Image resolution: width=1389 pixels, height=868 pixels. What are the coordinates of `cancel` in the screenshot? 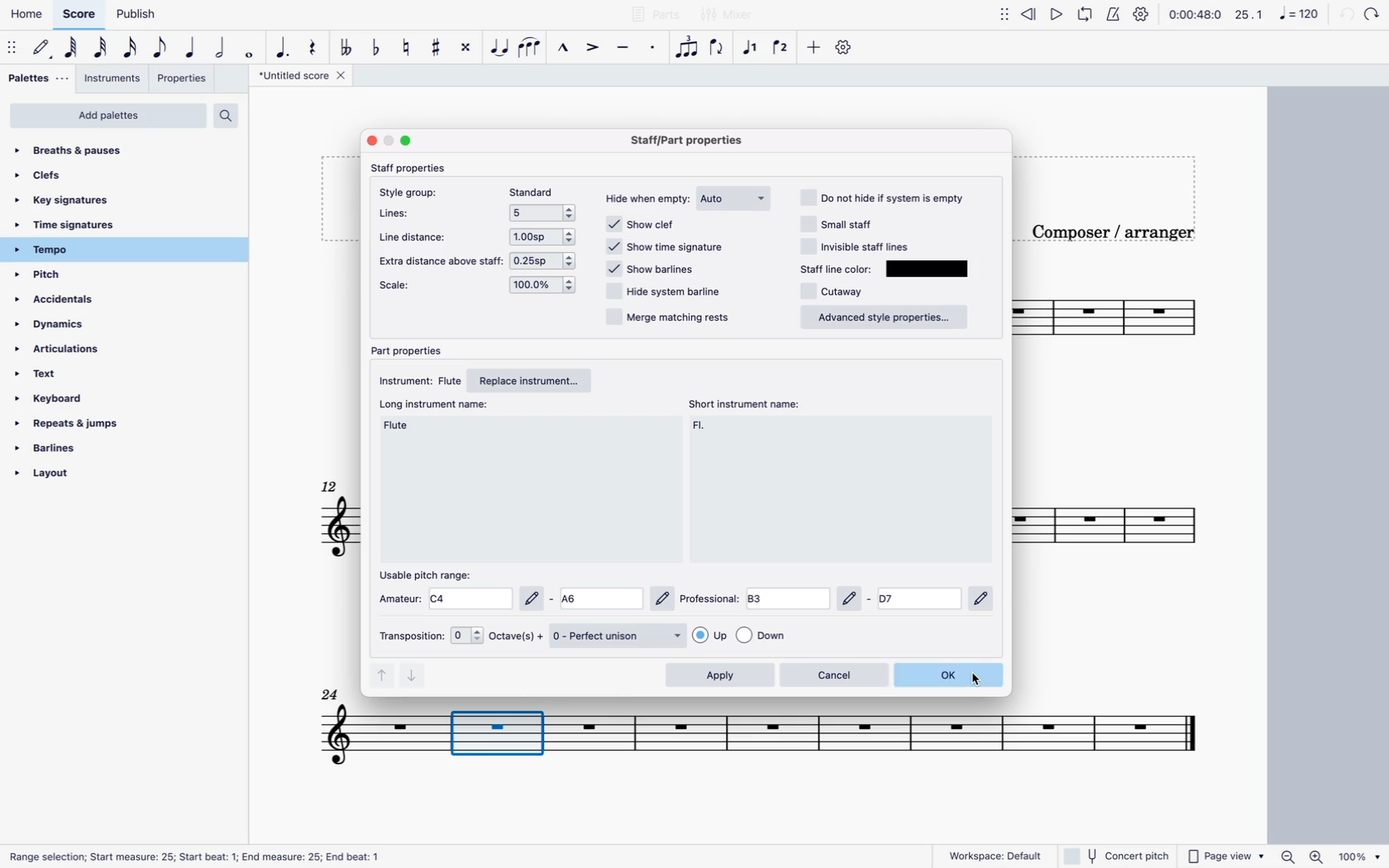 It's located at (834, 675).